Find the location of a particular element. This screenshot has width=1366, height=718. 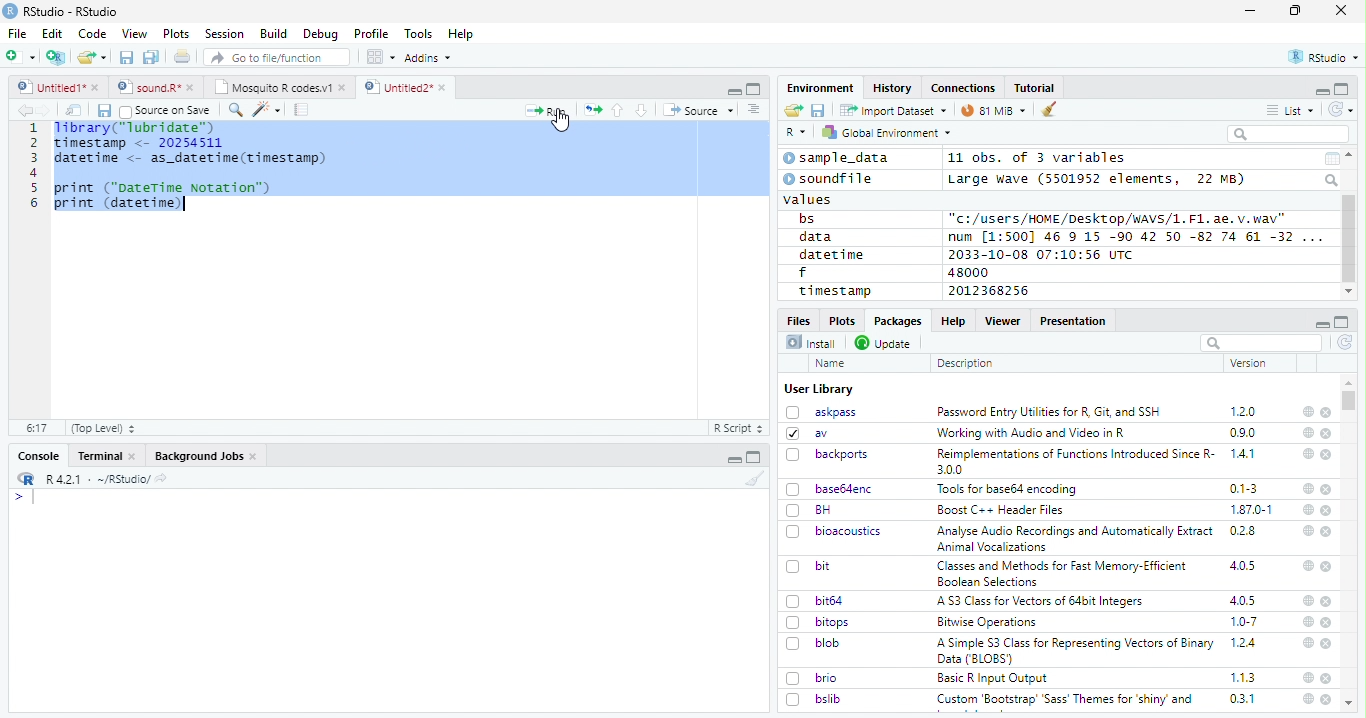

Save the current document is located at coordinates (127, 58).